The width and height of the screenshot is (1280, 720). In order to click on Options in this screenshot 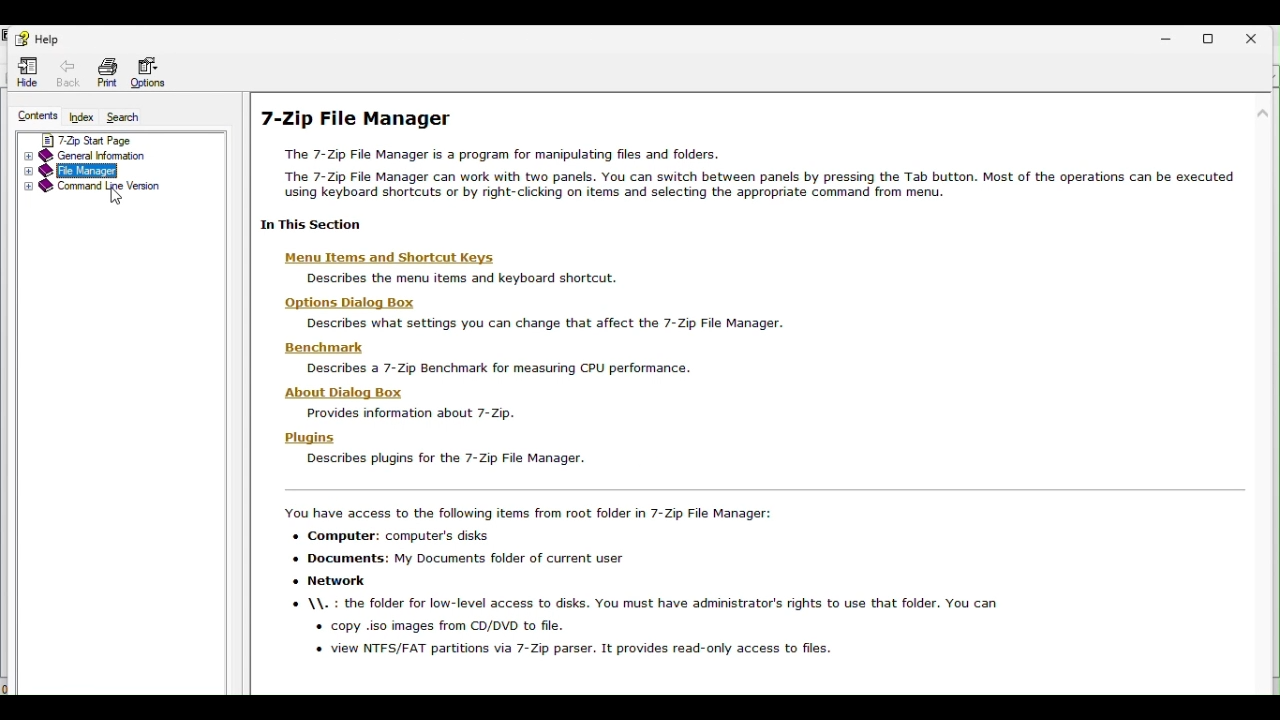, I will do `click(147, 73)`.